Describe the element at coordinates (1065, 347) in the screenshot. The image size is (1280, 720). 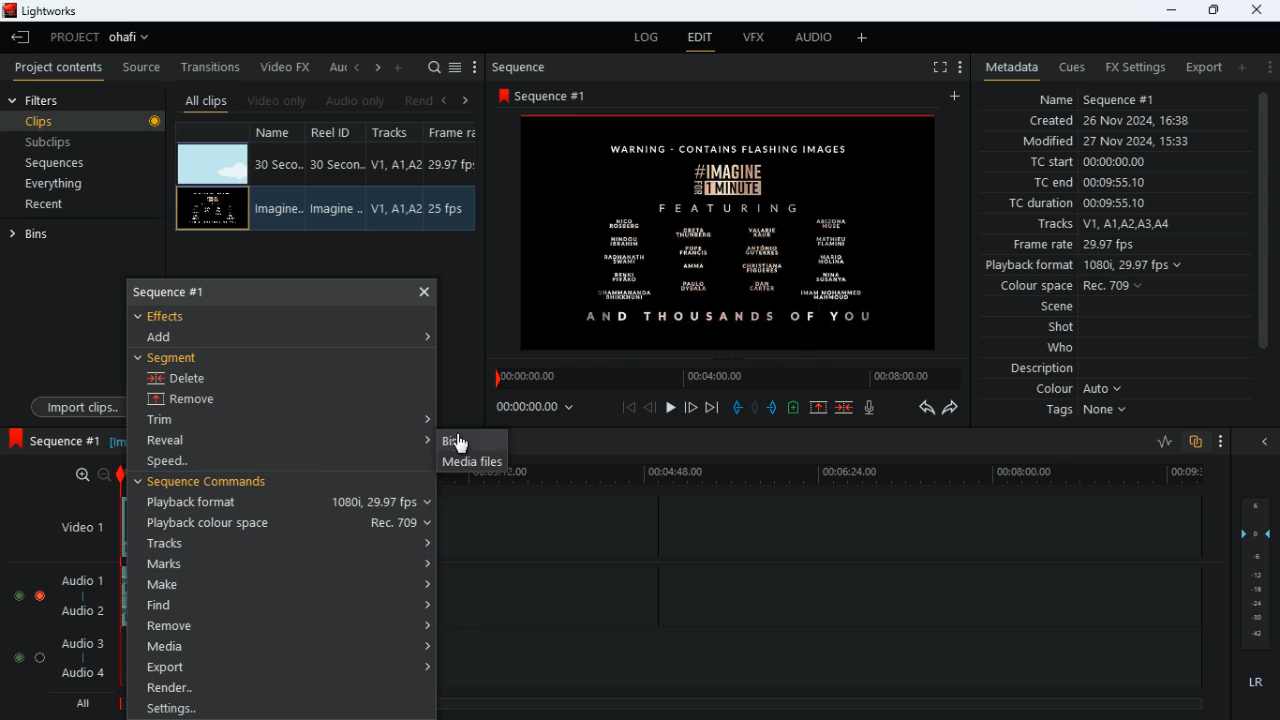
I see `who` at that location.